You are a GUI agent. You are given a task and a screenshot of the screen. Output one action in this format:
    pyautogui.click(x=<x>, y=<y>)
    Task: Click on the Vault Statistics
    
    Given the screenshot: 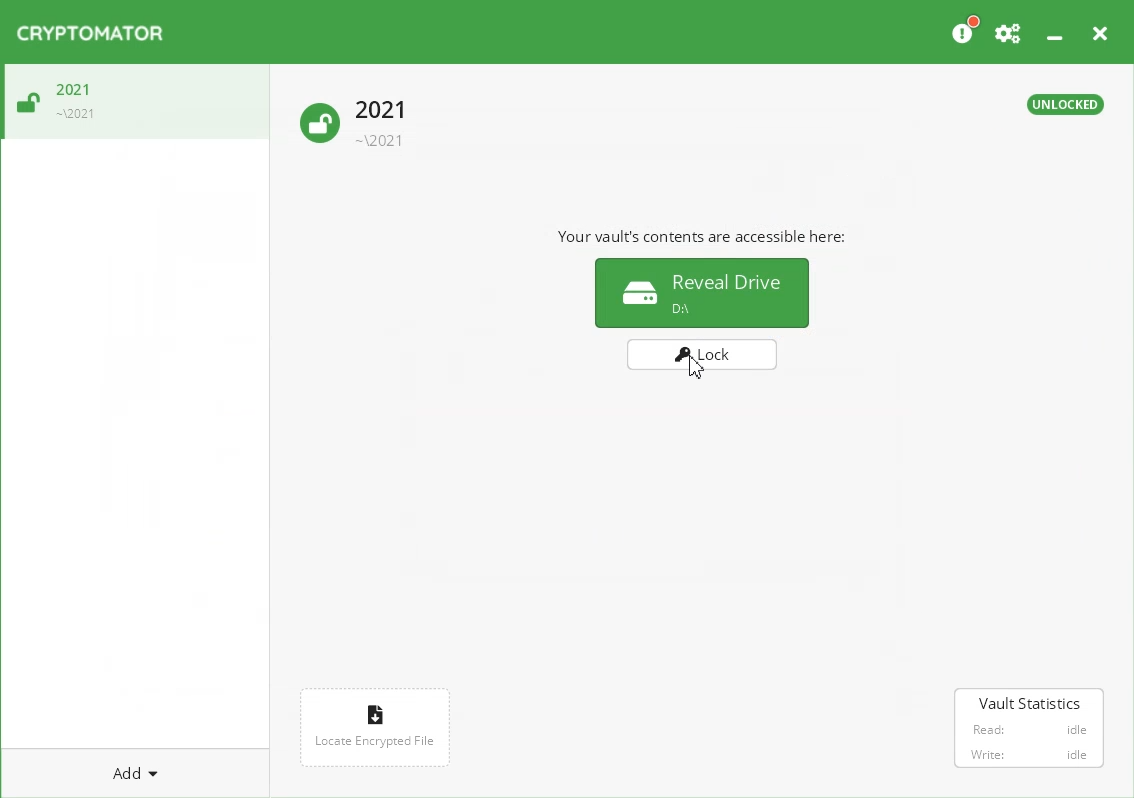 What is the action you would take?
    pyautogui.click(x=1030, y=730)
    